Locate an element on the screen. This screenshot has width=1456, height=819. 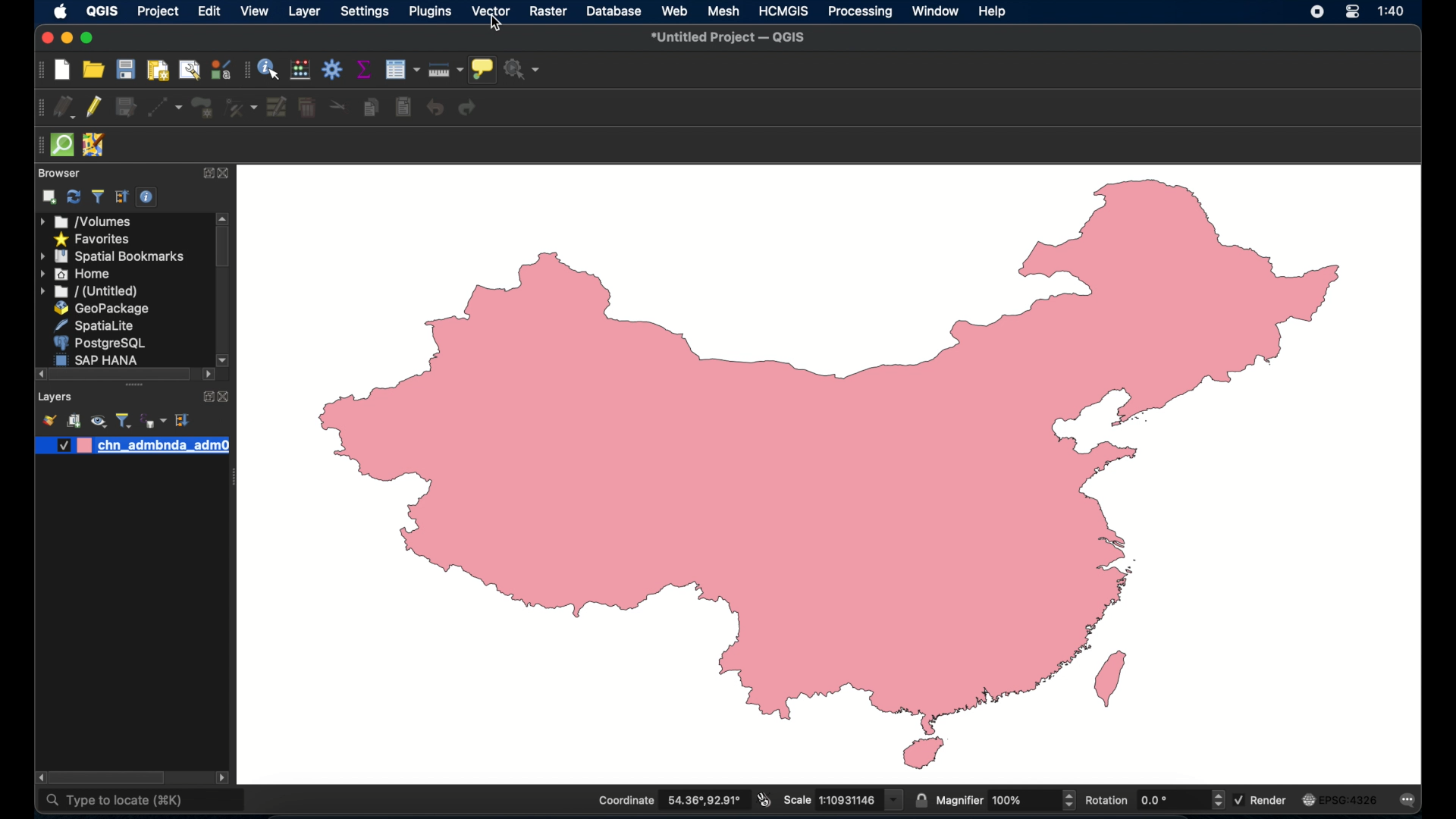
settings is located at coordinates (366, 13).